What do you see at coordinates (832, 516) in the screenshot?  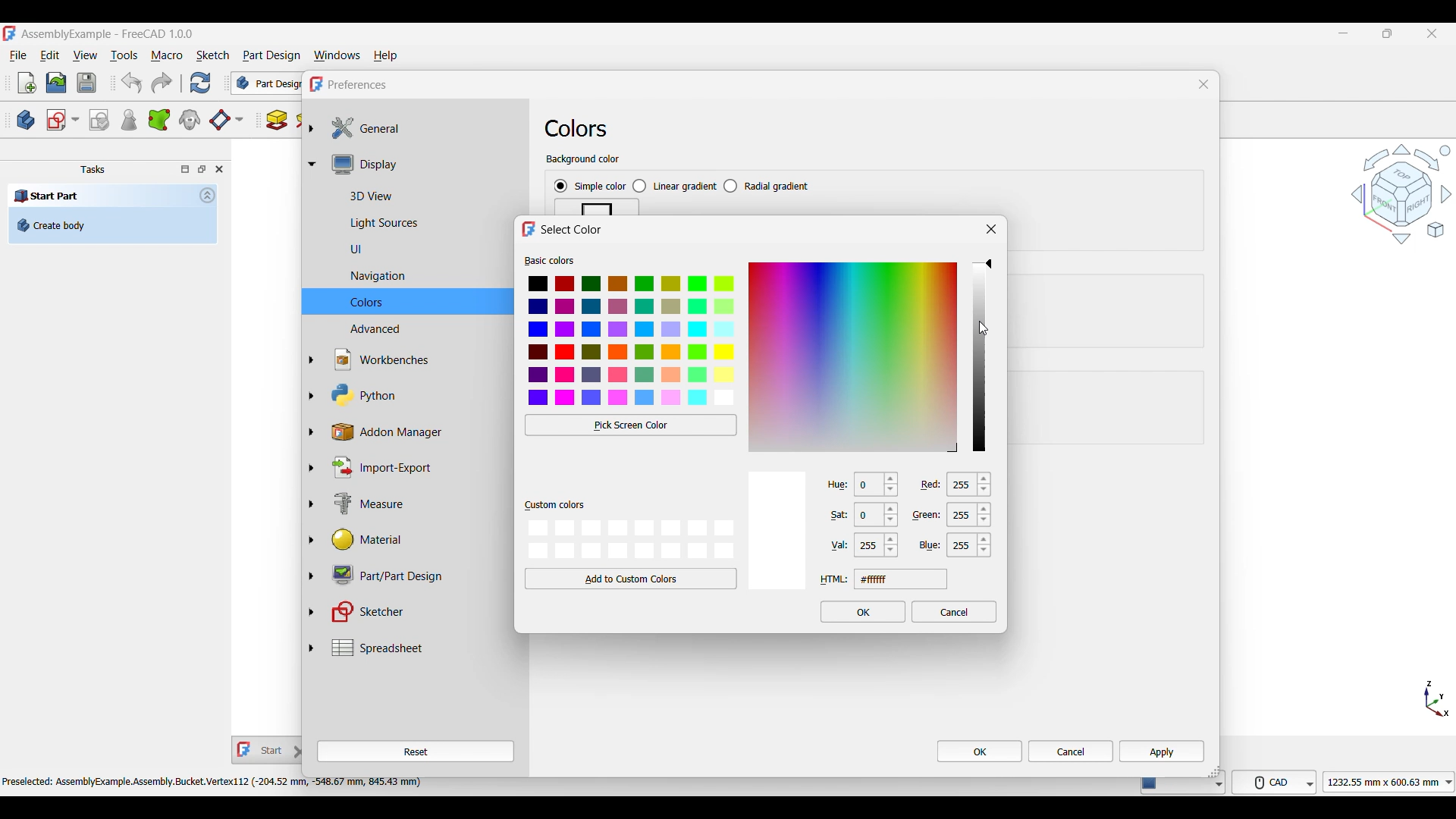 I see `sat` at bounding box center [832, 516].